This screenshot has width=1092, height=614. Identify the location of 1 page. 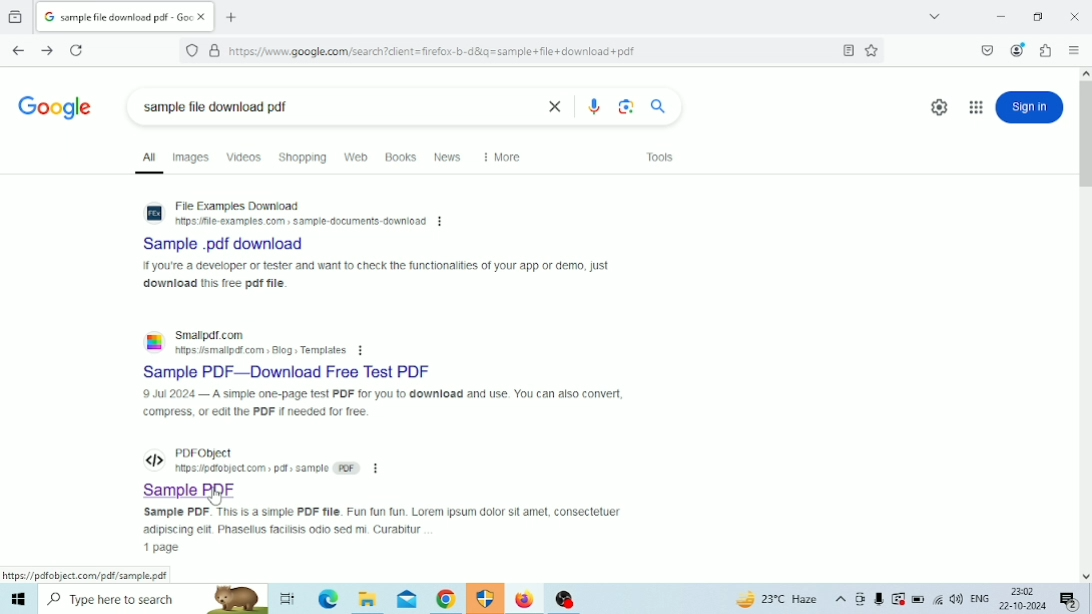
(162, 548).